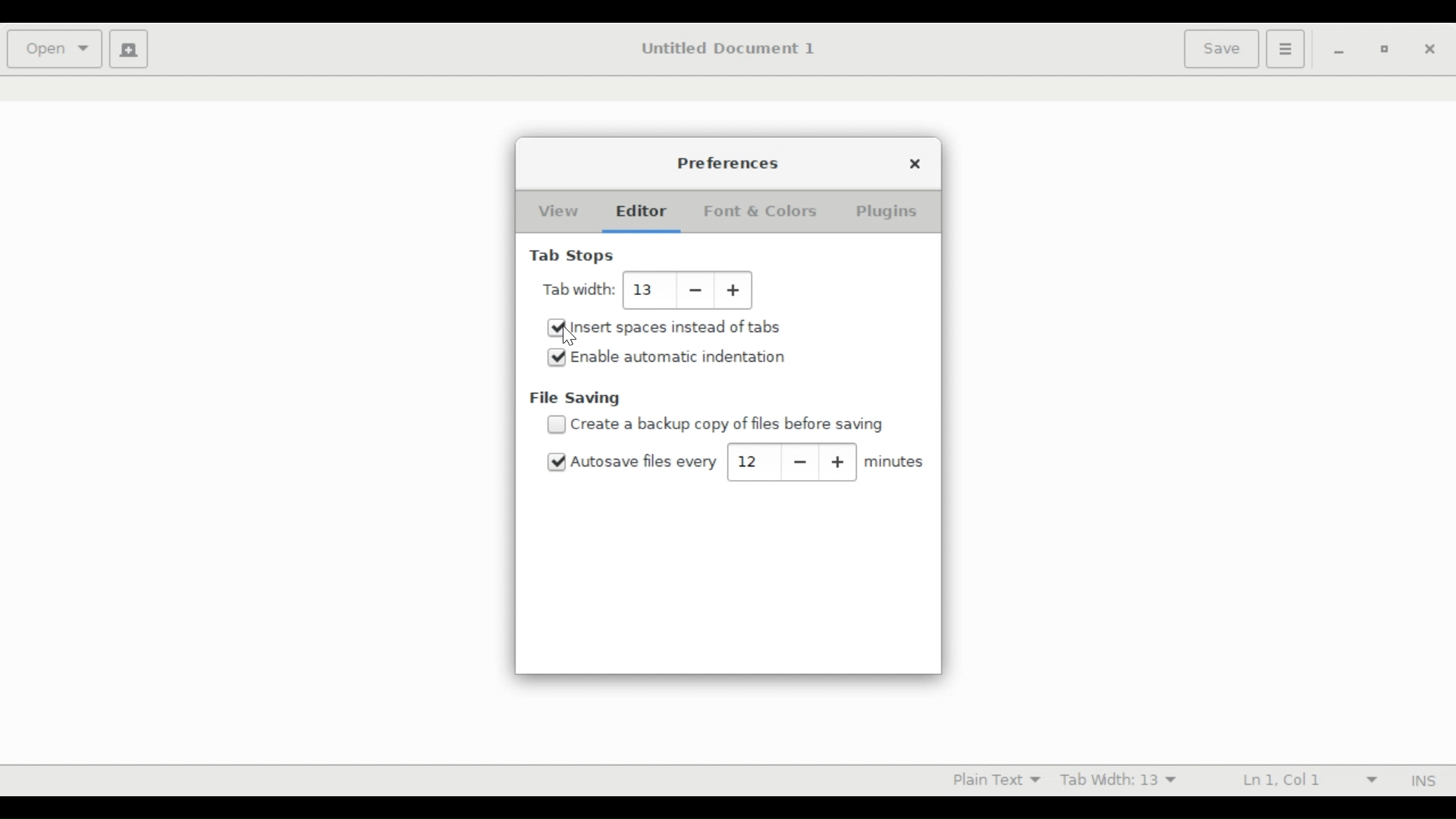 The image size is (1456, 819). What do you see at coordinates (736, 425) in the screenshot?
I see `(un)check Create backup copy of files before saving` at bounding box center [736, 425].